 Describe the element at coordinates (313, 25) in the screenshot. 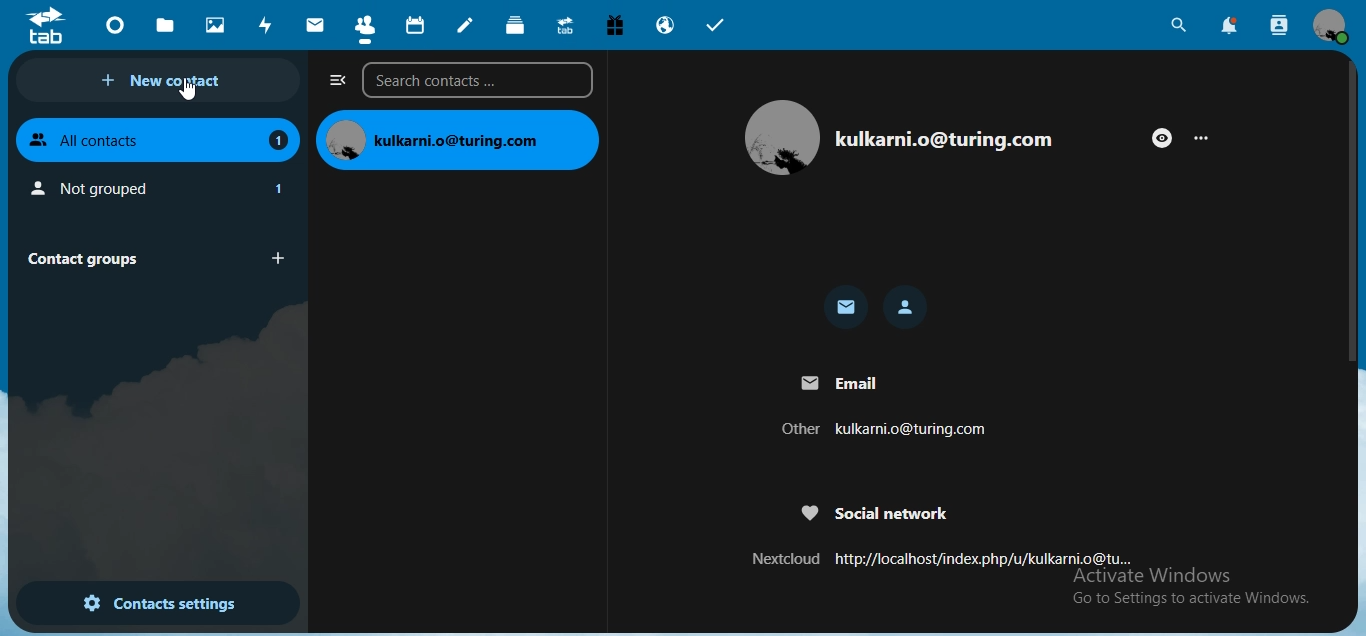

I see `mail` at that location.